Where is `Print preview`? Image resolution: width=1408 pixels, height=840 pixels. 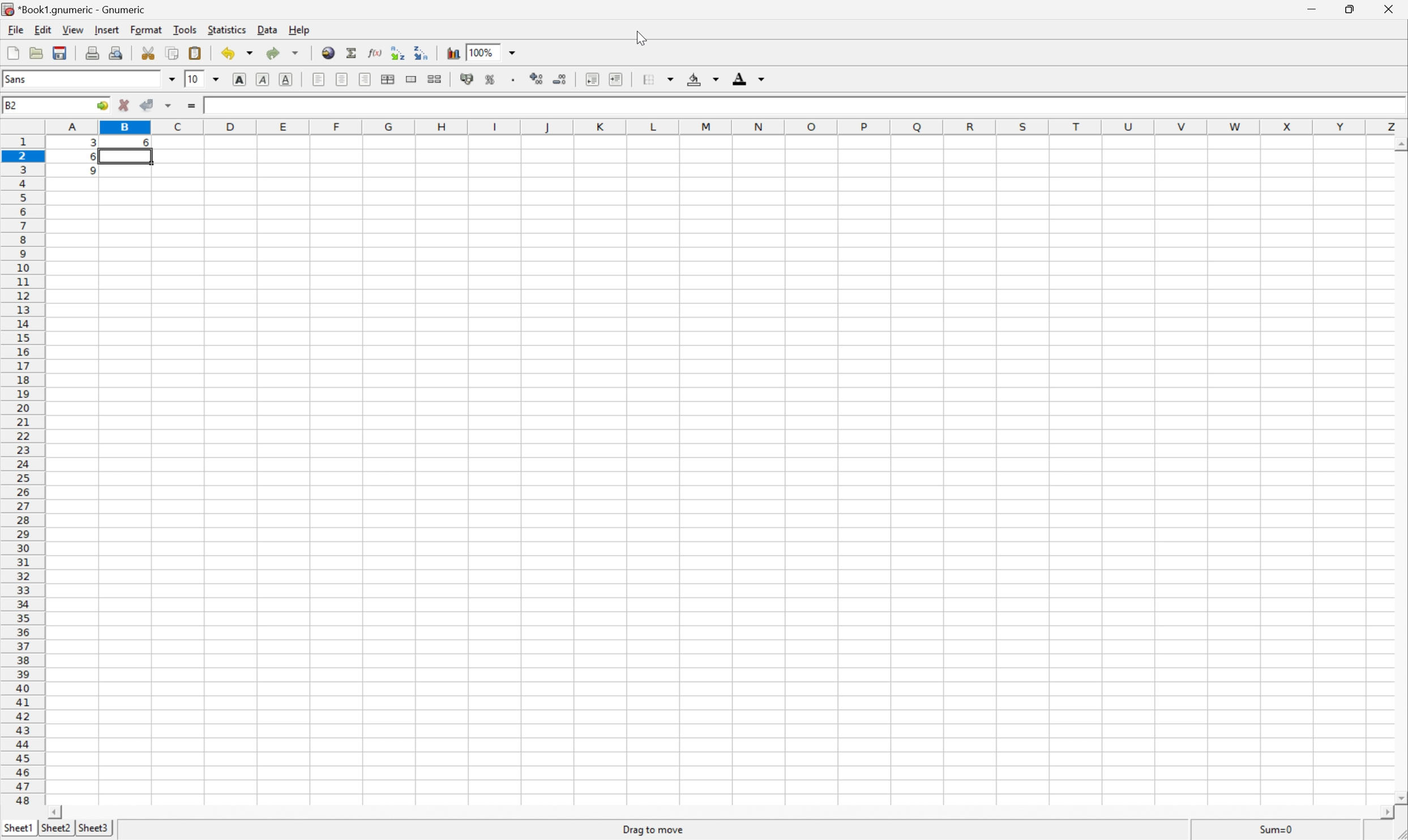
Print preview is located at coordinates (117, 51).